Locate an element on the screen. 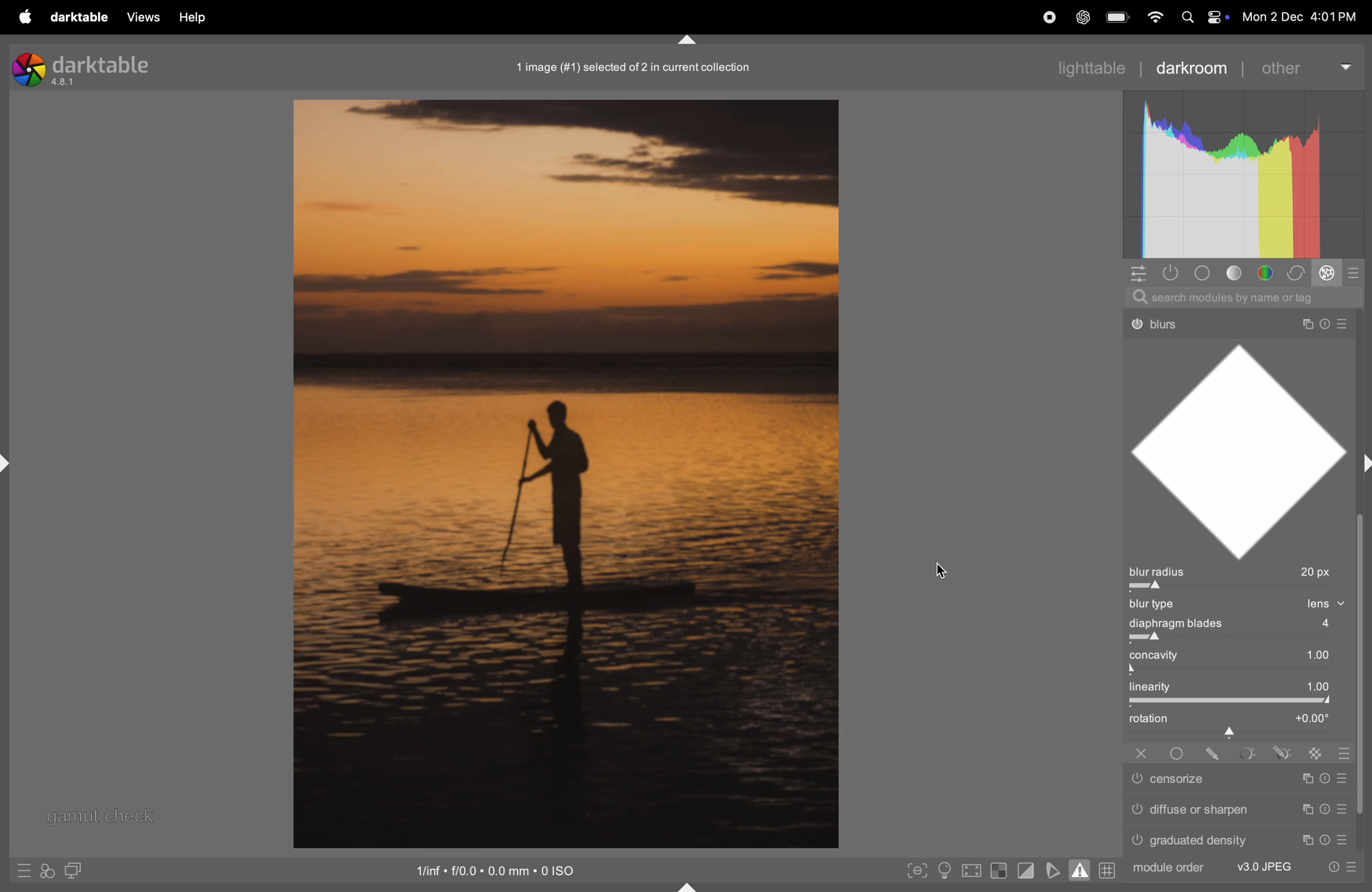 The image size is (1372, 892). rotation is located at coordinates (1238, 723).